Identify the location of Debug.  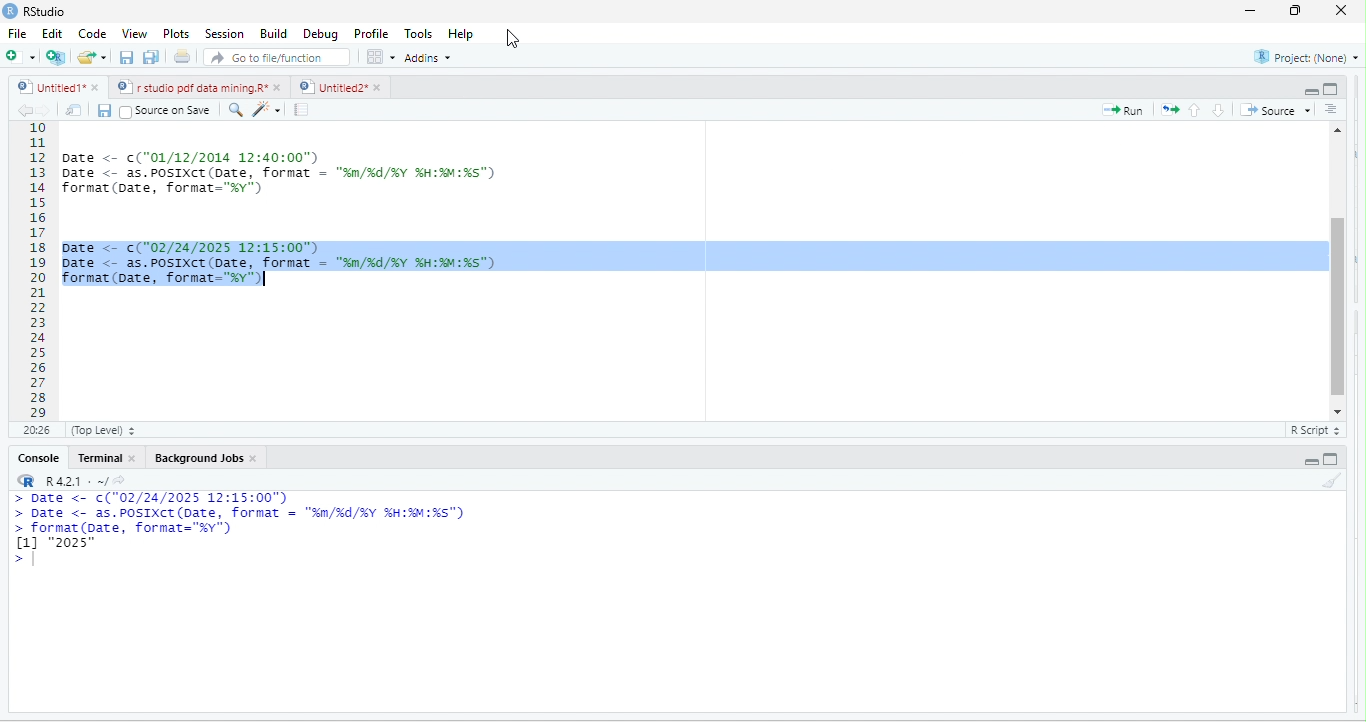
(320, 36).